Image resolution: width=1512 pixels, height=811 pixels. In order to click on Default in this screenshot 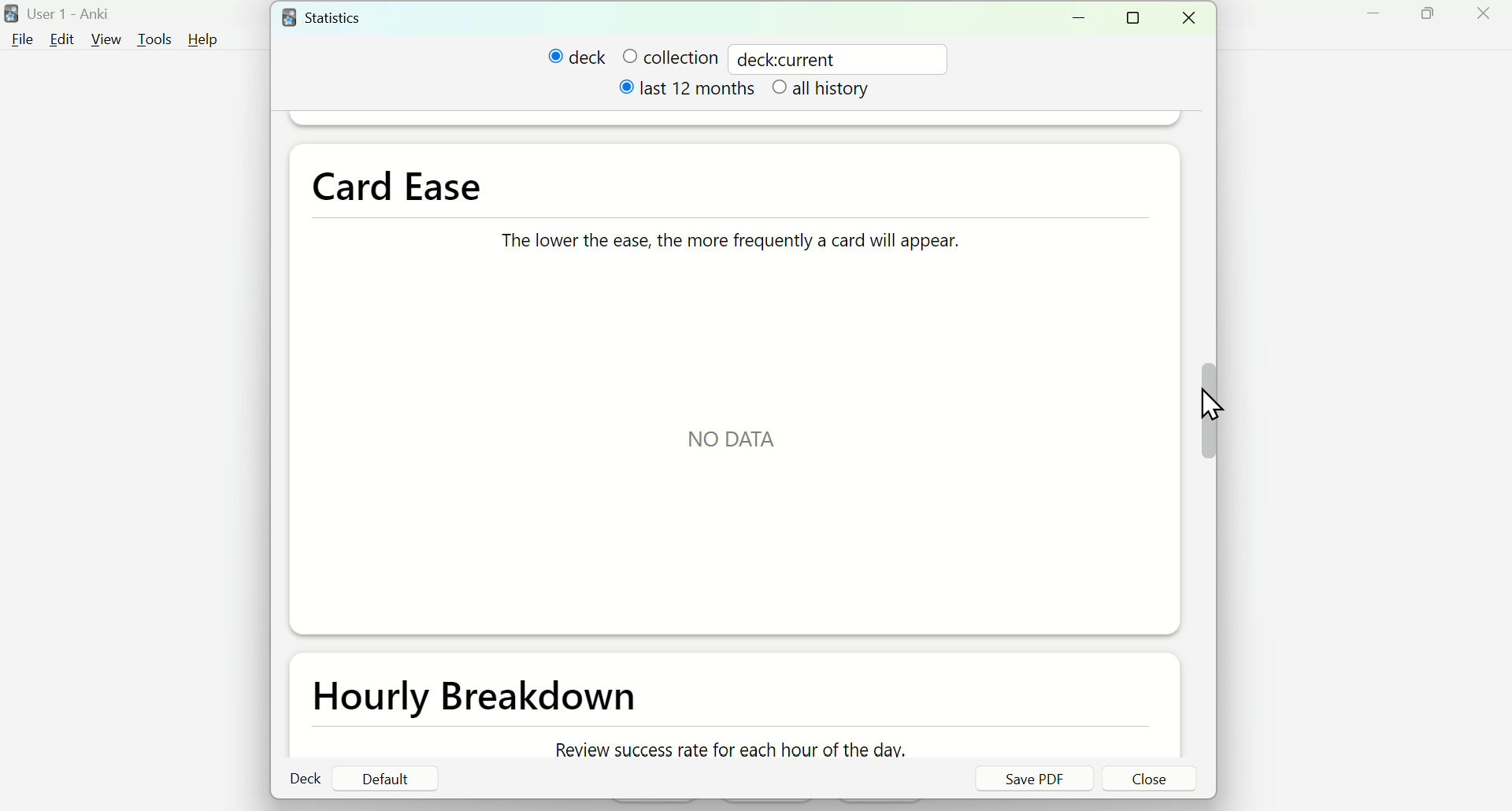, I will do `click(385, 779)`.